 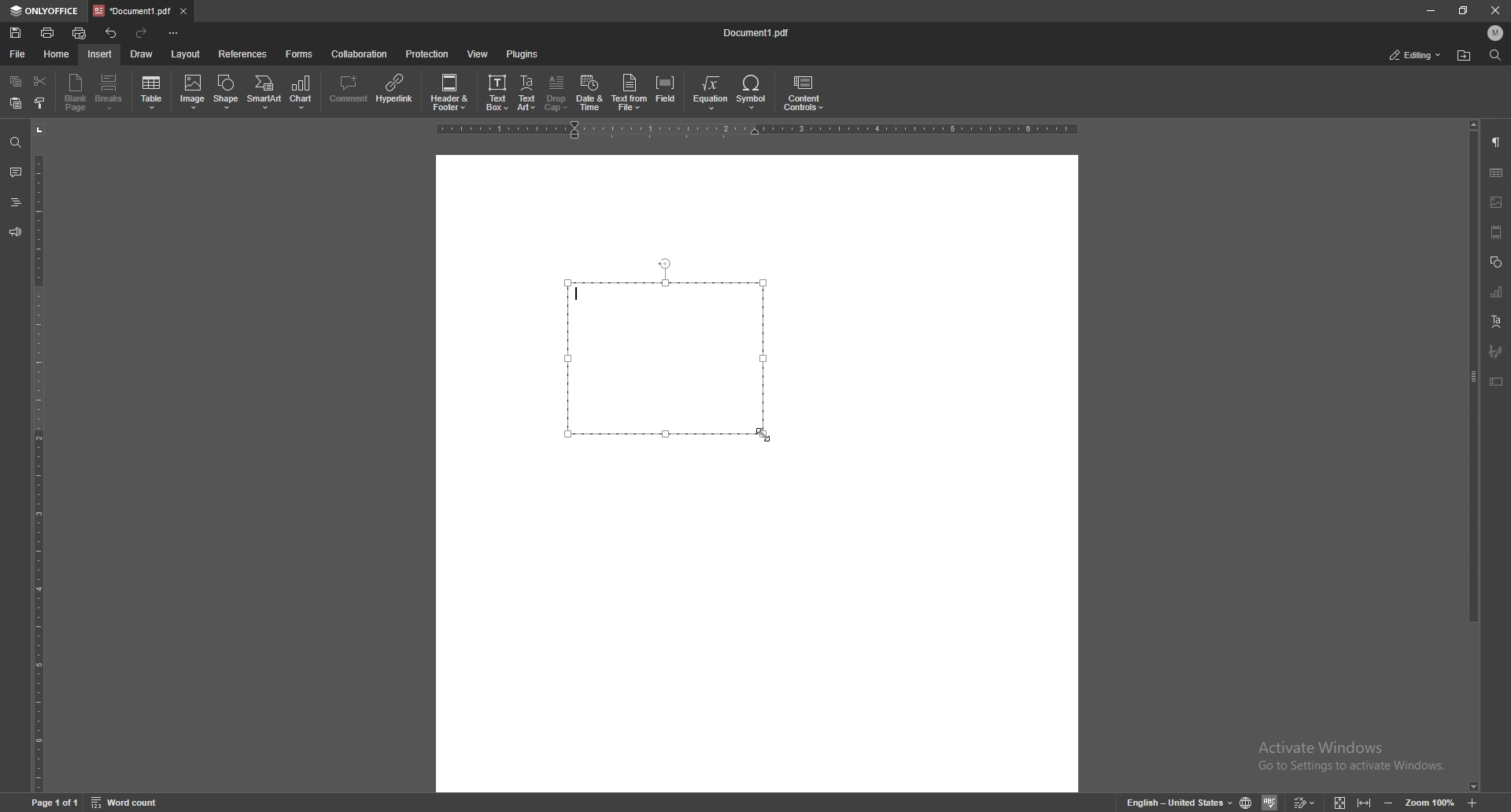 What do you see at coordinates (667, 352) in the screenshot?
I see `text box` at bounding box center [667, 352].